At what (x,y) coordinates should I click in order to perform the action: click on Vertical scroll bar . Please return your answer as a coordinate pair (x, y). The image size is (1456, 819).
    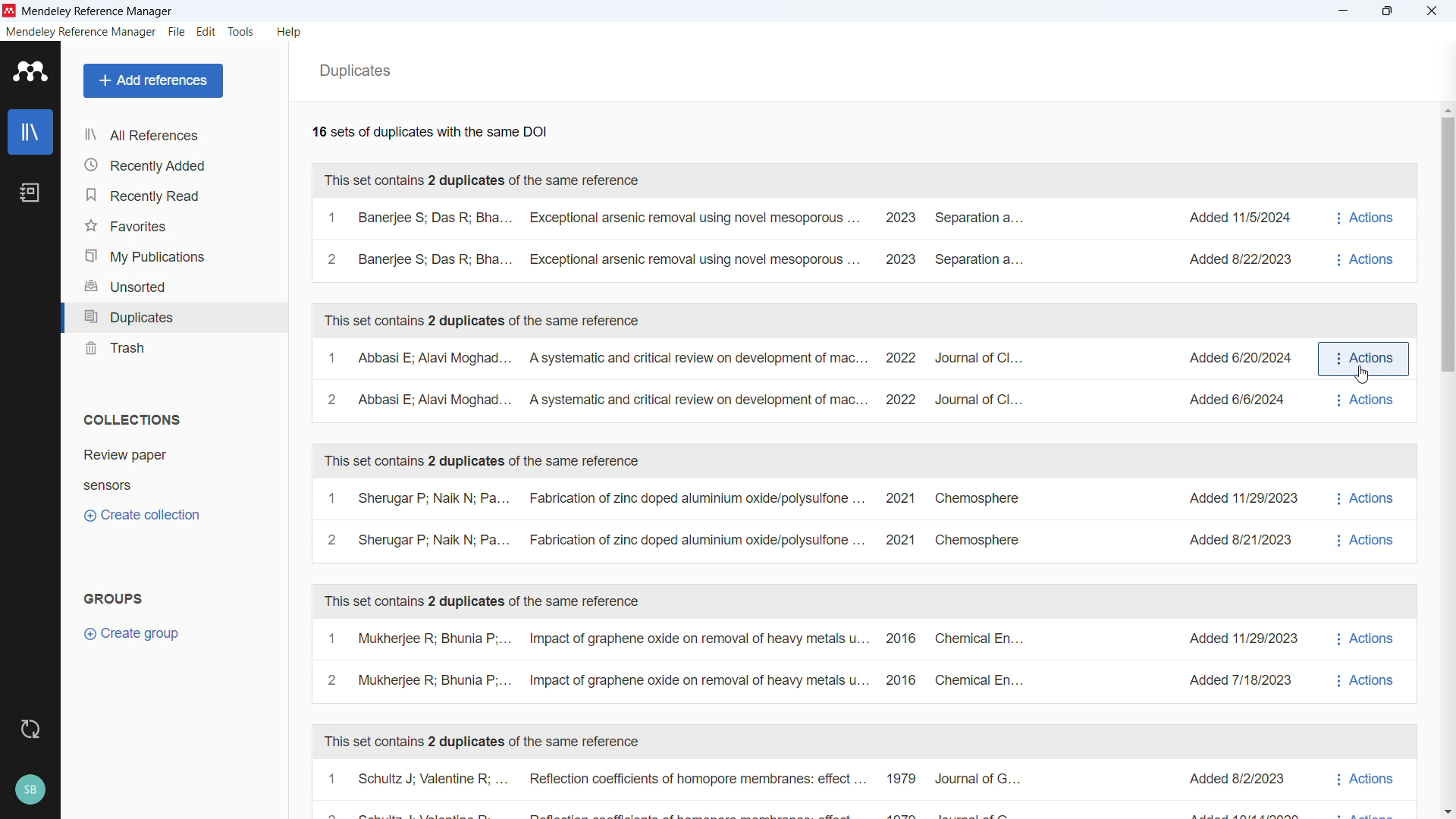
    Looking at the image, I should click on (1450, 246).